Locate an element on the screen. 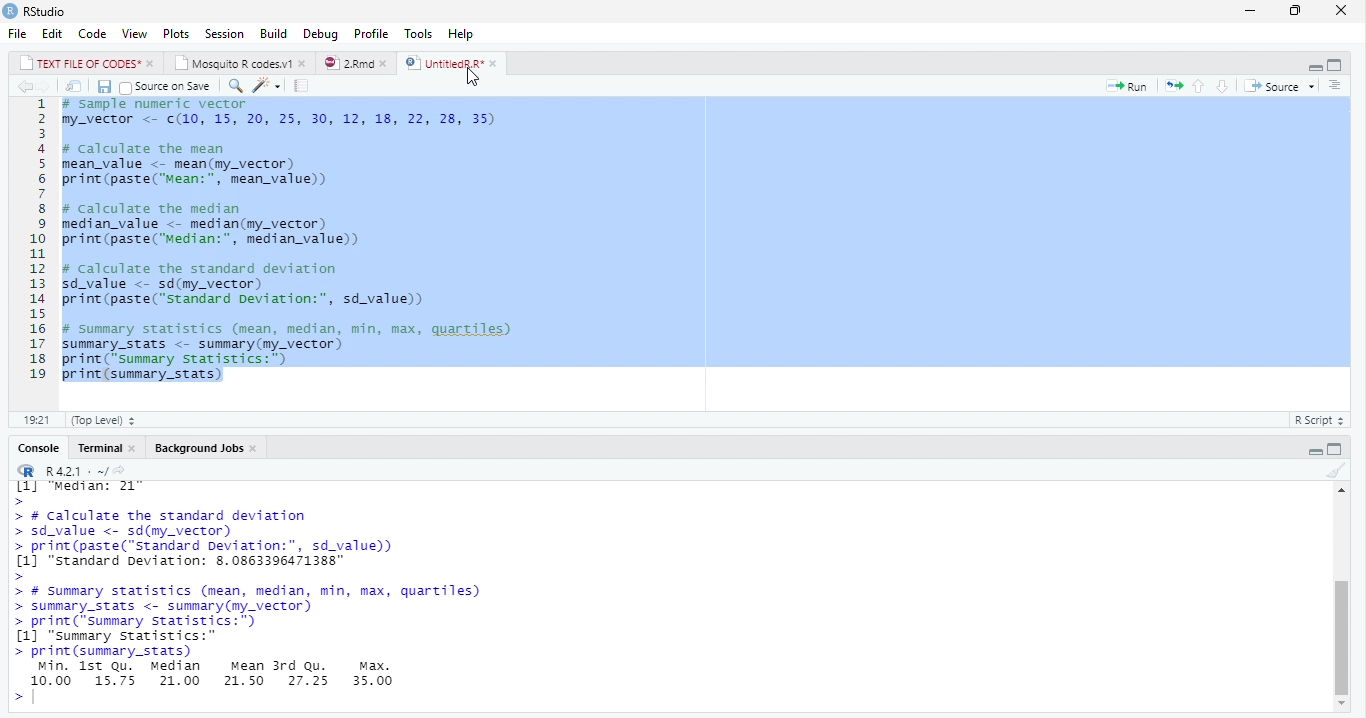 The width and height of the screenshot is (1366, 718). build is located at coordinates (274, 35).